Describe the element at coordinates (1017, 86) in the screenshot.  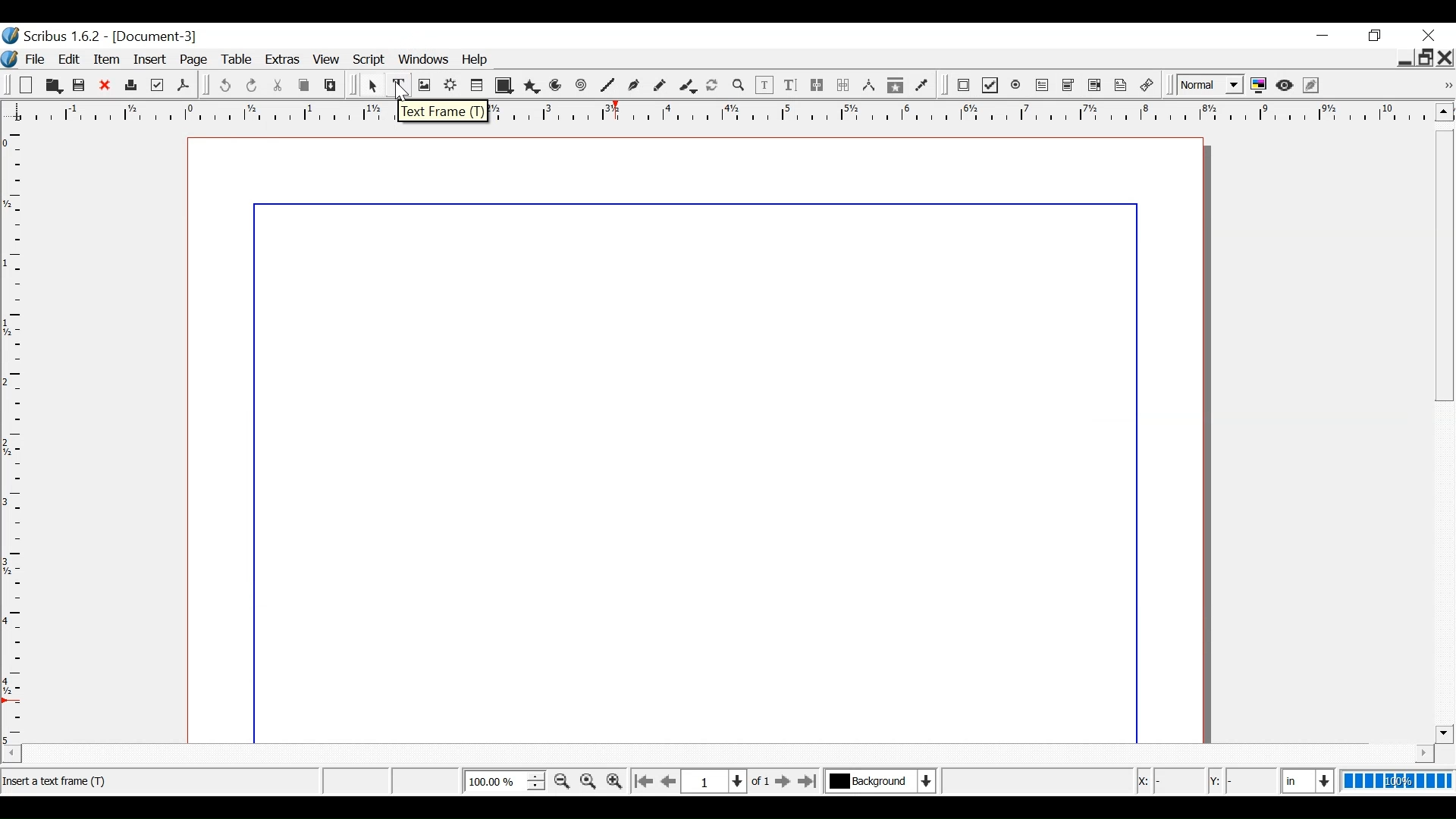
I see `PDF Radio Button` at that location.